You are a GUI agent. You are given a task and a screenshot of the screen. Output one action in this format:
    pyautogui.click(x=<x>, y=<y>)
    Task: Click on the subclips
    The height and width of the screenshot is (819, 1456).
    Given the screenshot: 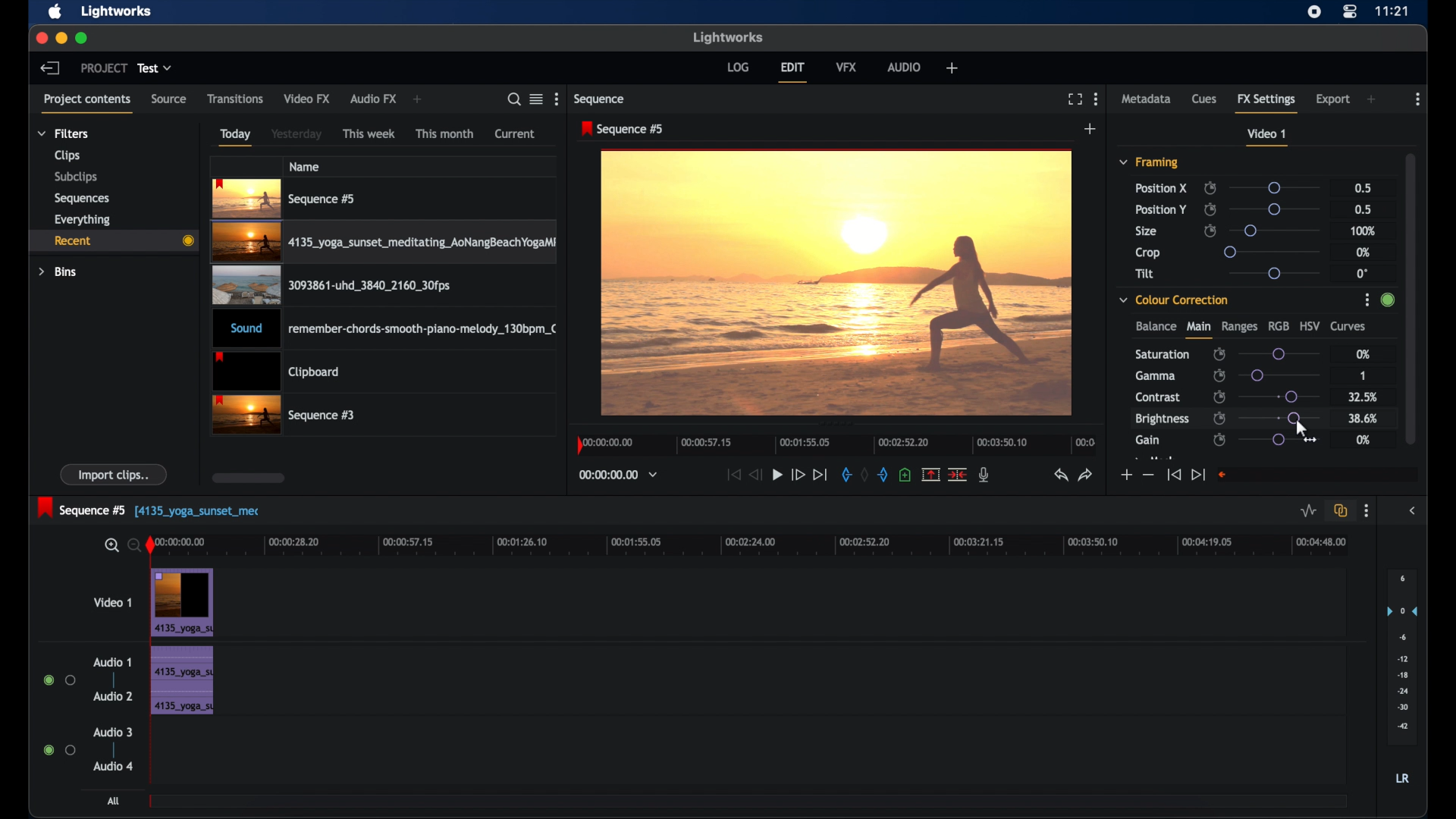 What is the action you would take?
    pyautogui.click(x=77, y=177)
    